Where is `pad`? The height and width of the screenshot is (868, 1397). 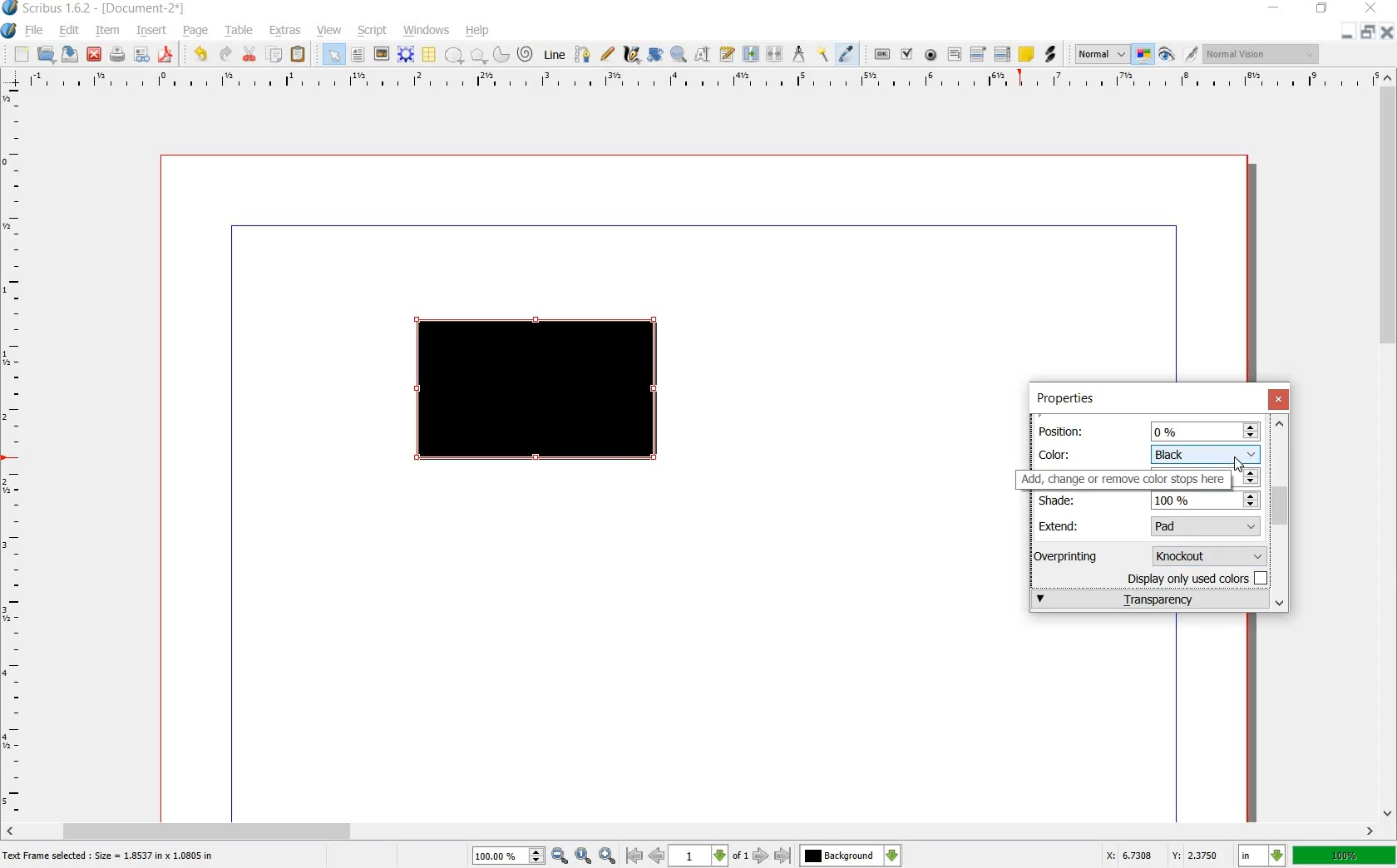
pad is located at coordinates (1208, 526).